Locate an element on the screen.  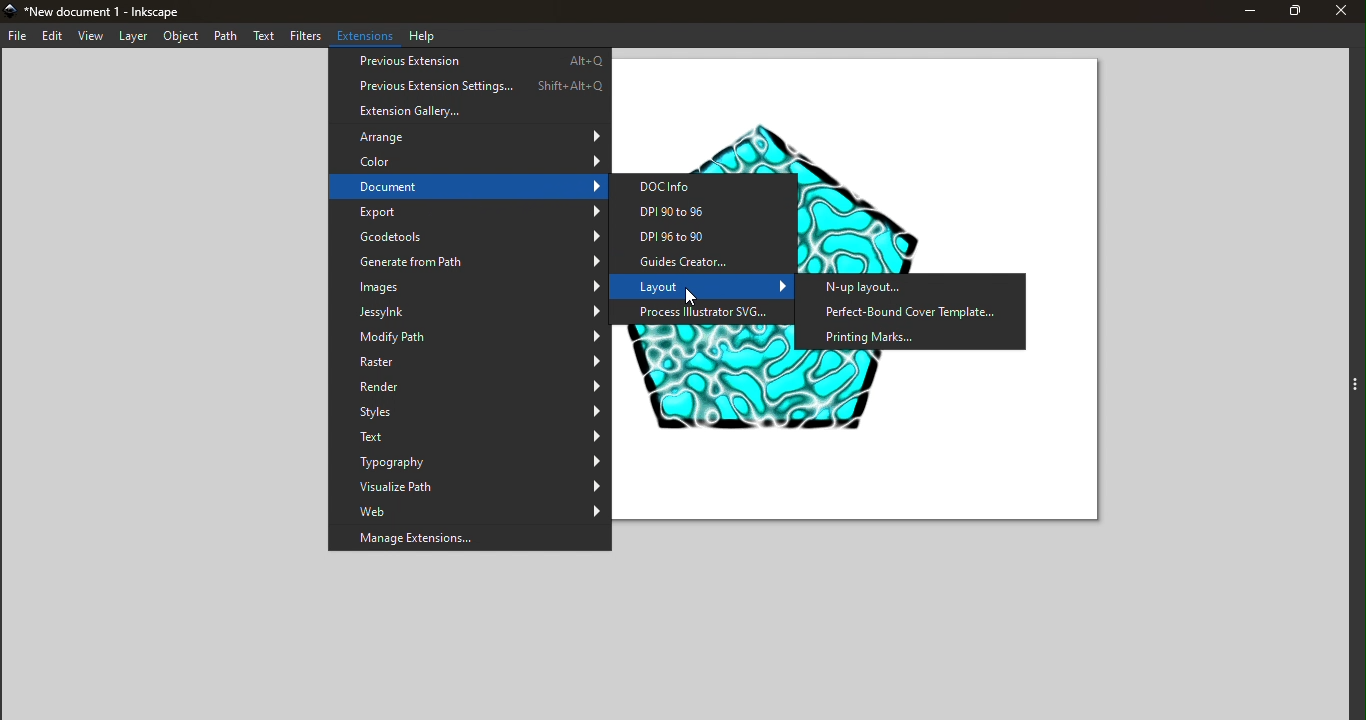
Raster is located at coordinates (469, 365).